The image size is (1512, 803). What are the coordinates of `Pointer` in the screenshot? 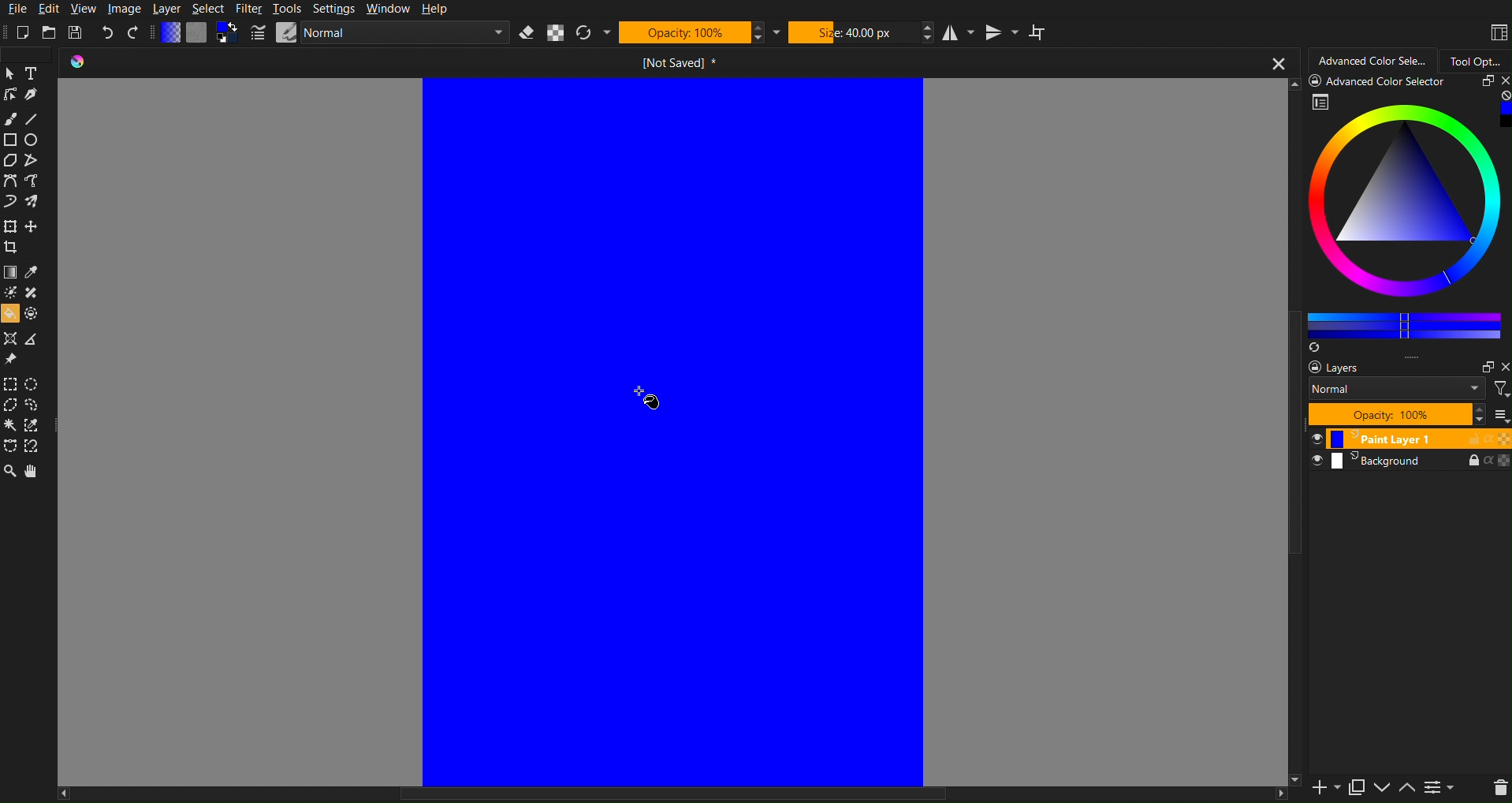 It's located at (9, 73).